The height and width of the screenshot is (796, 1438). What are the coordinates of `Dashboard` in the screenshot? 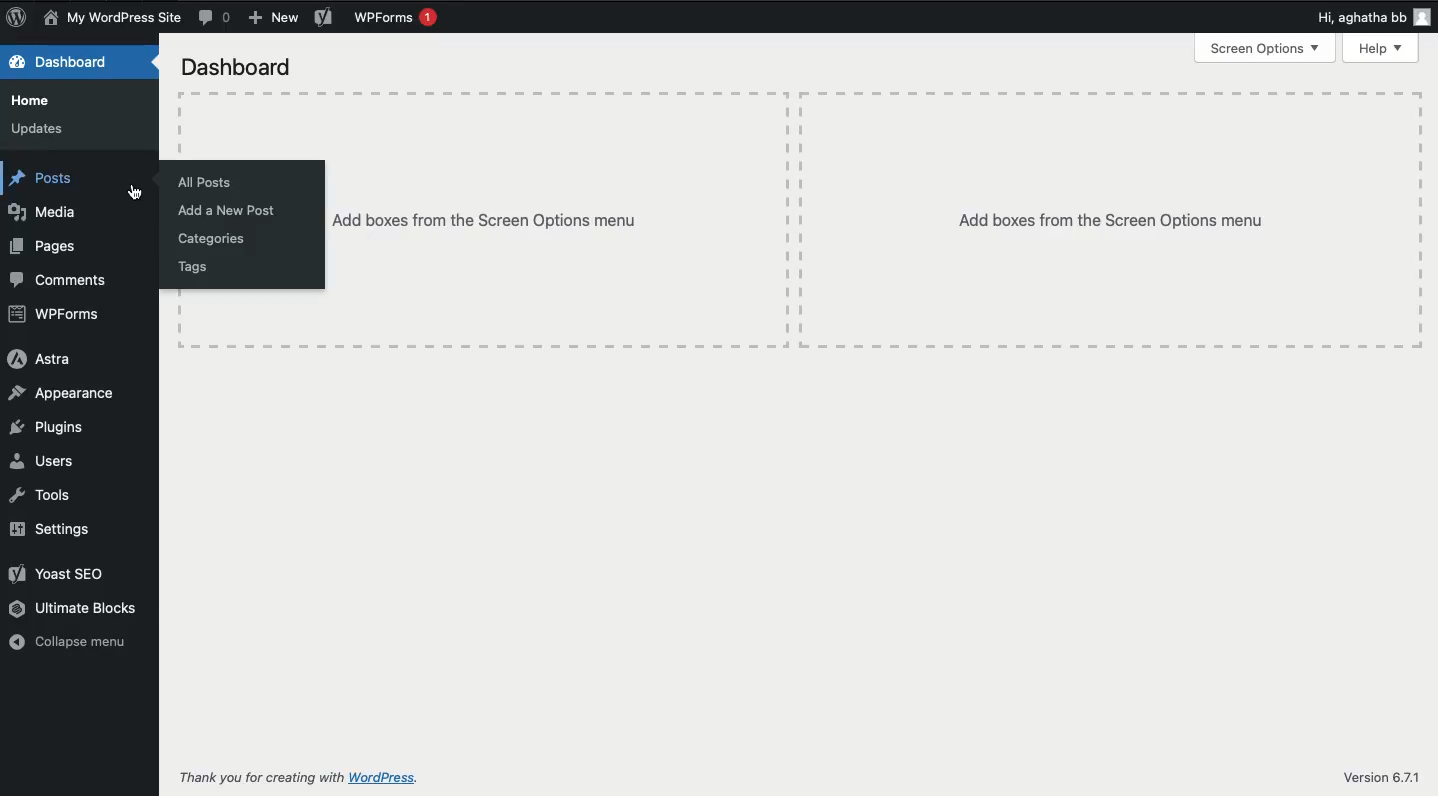 It's located at (238, 66).